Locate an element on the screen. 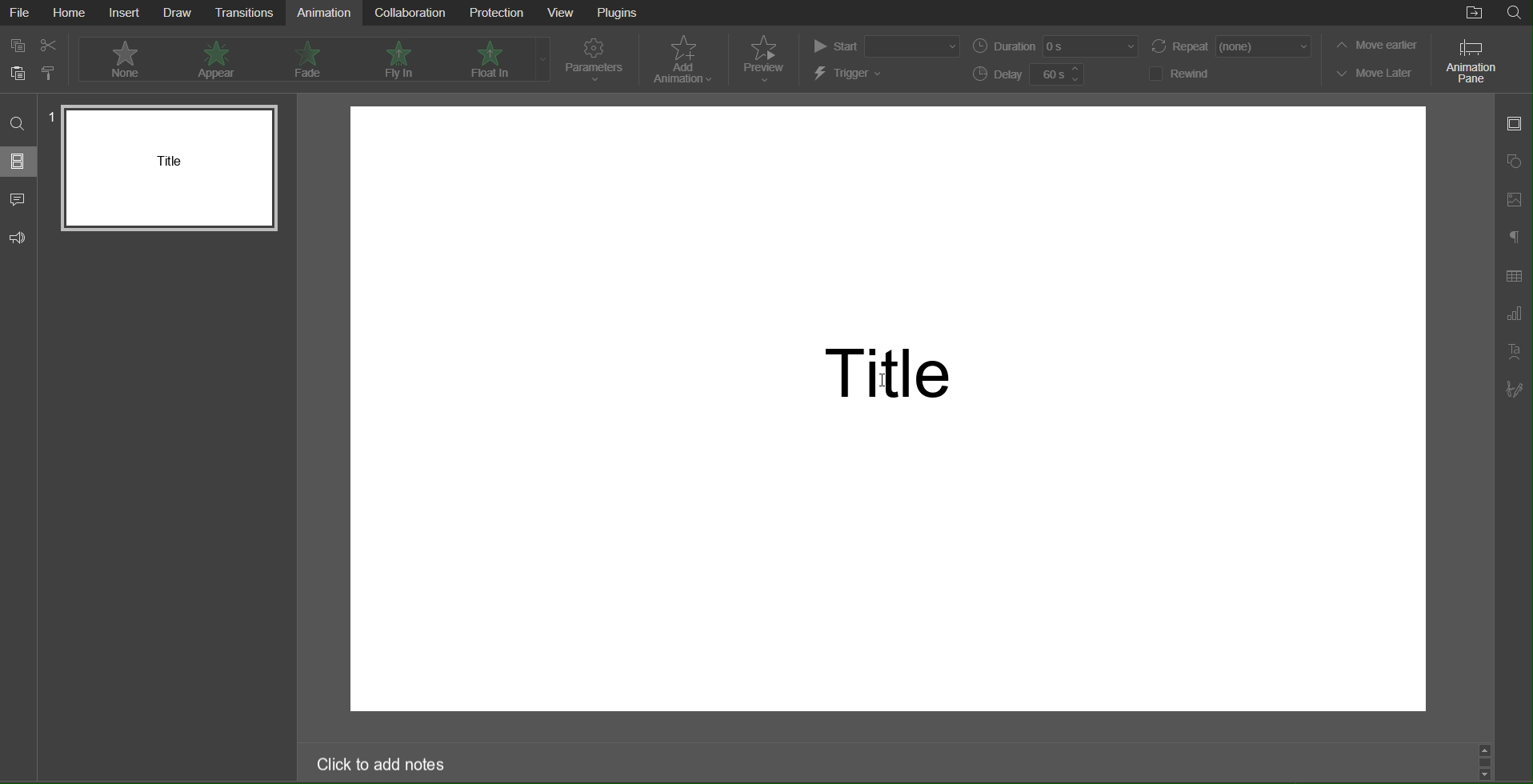  Draw is located at coordinates (178, 13).